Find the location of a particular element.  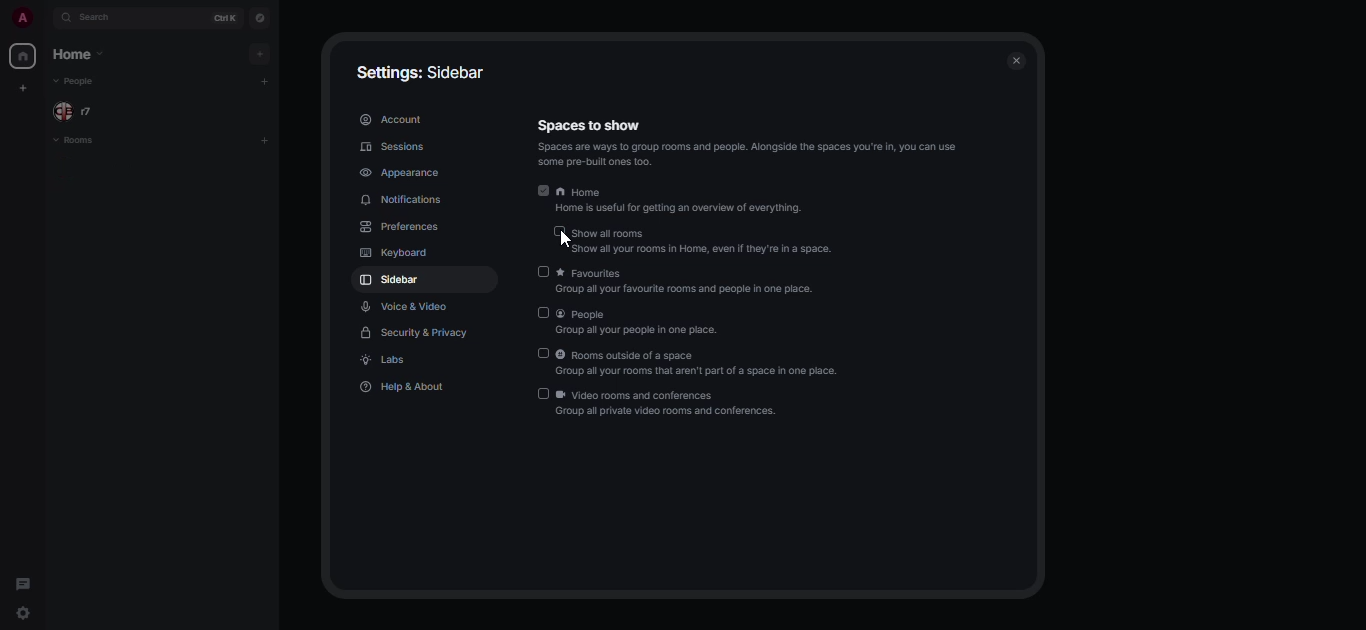

disabled is located at coordinates (543, 313).